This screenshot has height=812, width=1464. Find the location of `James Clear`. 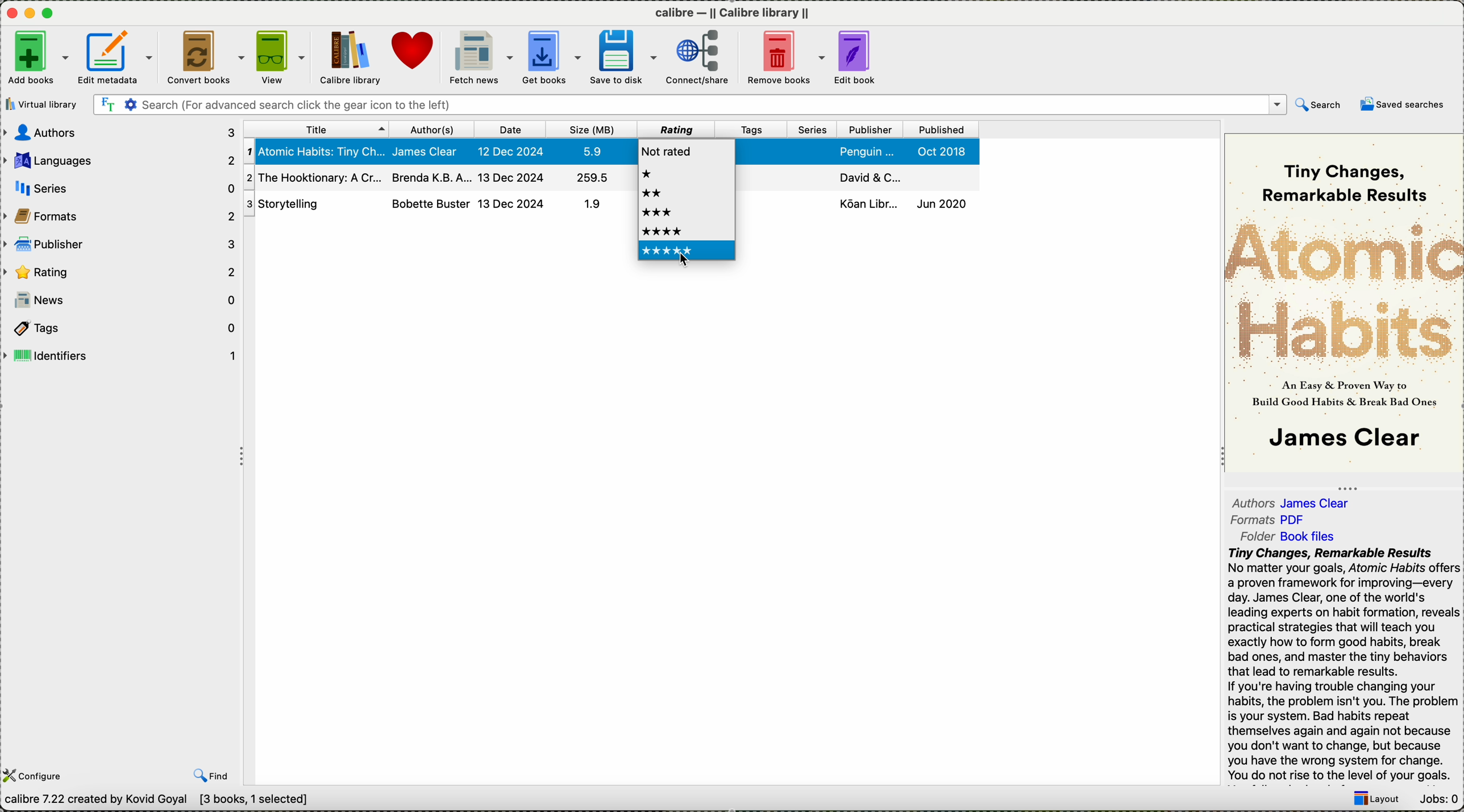

James Clear is located at coordinates (1342, 440).